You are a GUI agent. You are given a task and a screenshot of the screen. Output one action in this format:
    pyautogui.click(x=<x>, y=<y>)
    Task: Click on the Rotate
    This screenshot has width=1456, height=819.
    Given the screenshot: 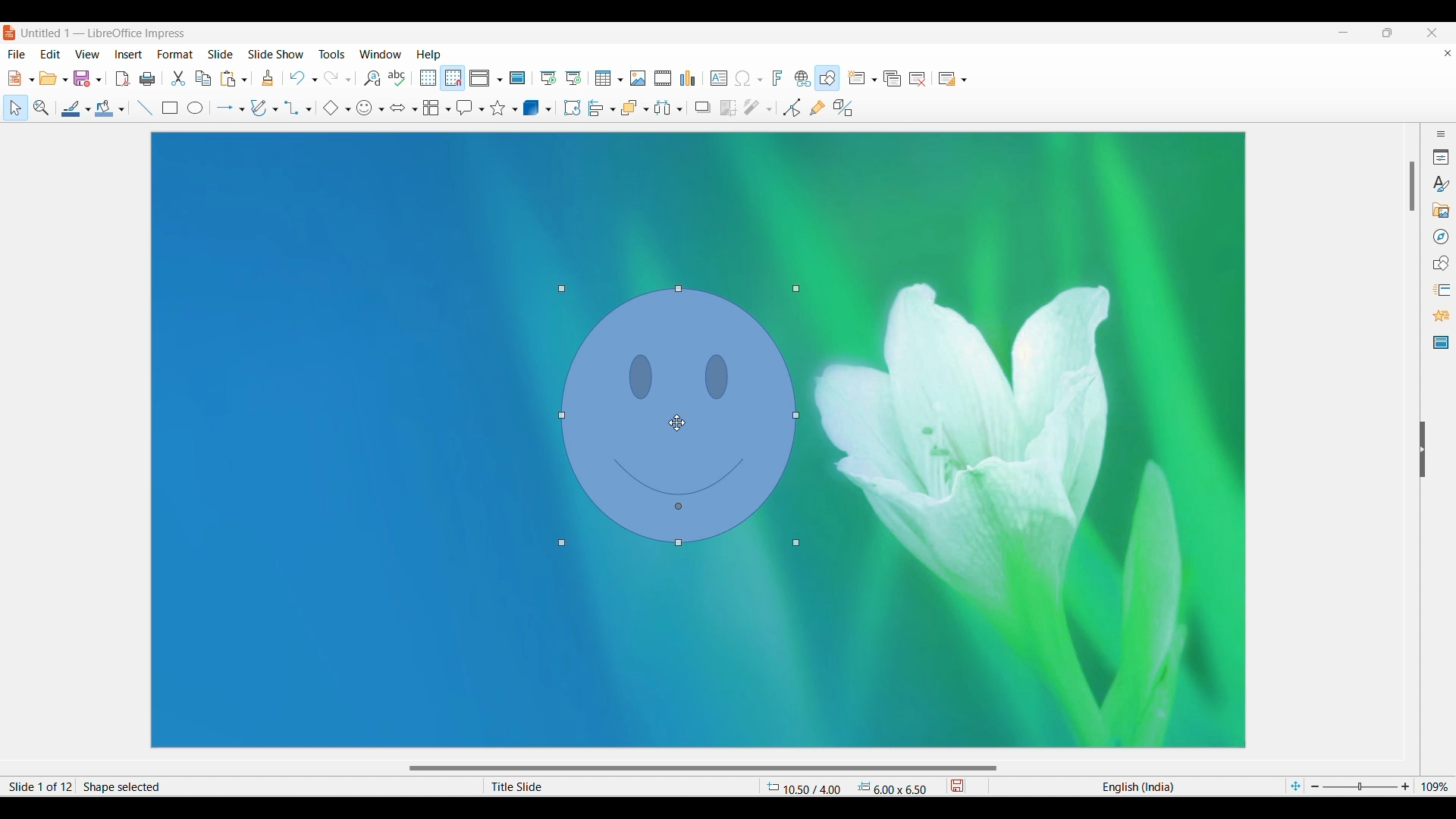 What is the action you would take?
    pyautogui.click(x=572, y=107)
    